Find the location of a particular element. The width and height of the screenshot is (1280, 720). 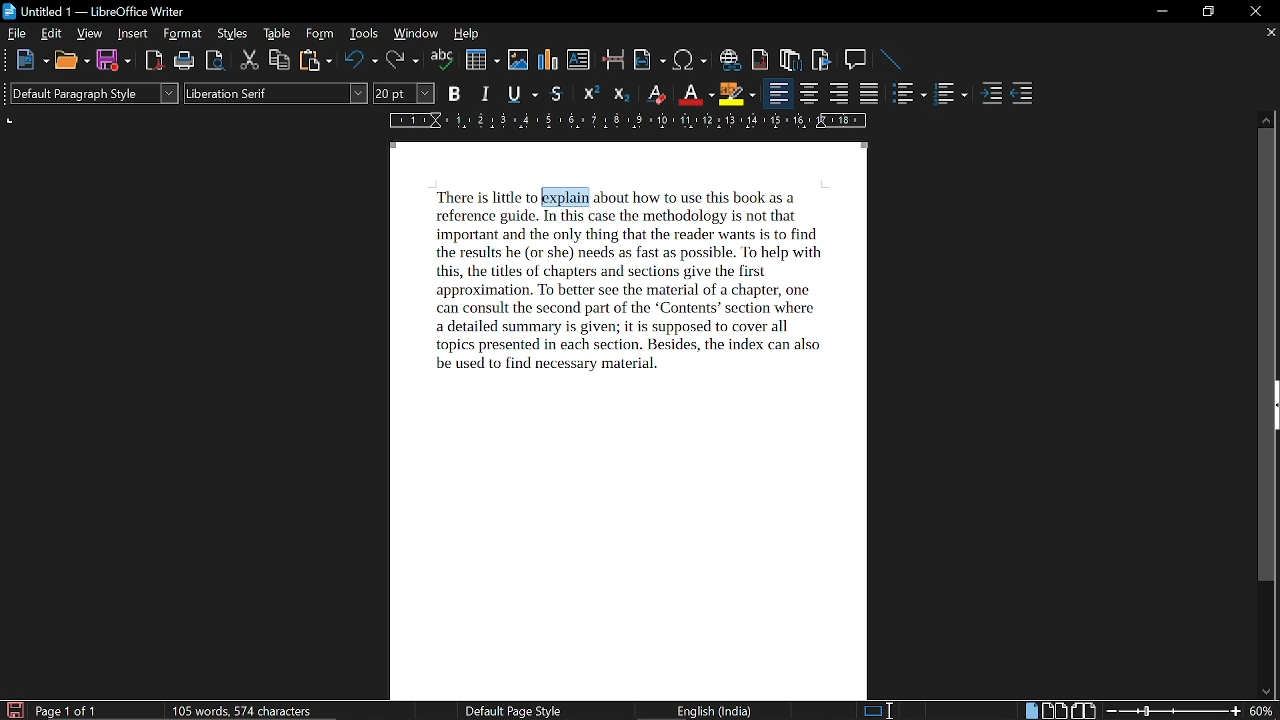

paragraph style is located at coordinates (98, 95).